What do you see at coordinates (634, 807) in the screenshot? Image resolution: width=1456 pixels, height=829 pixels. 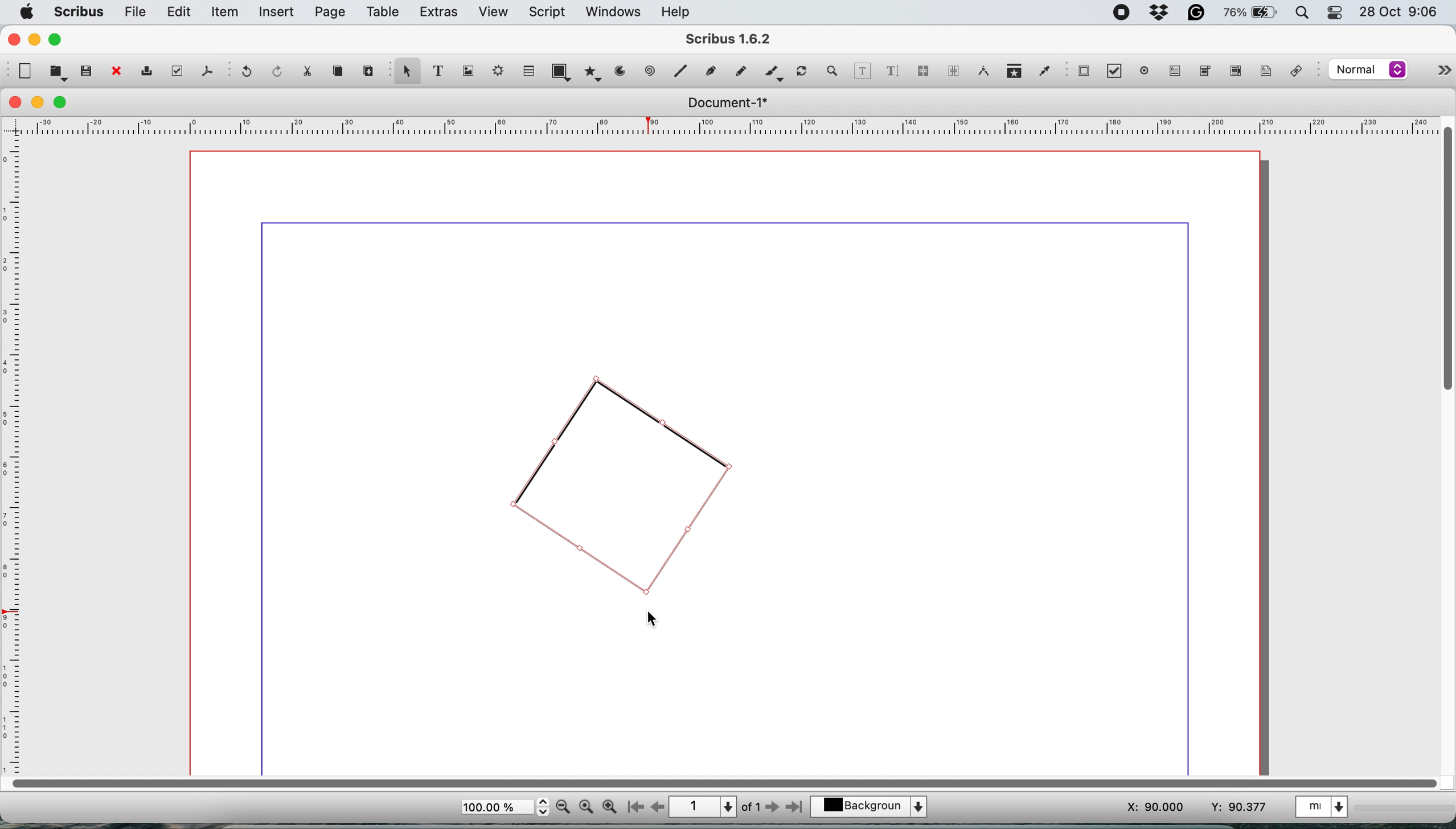 I see `go to first page` at bounding box center [634, 807].